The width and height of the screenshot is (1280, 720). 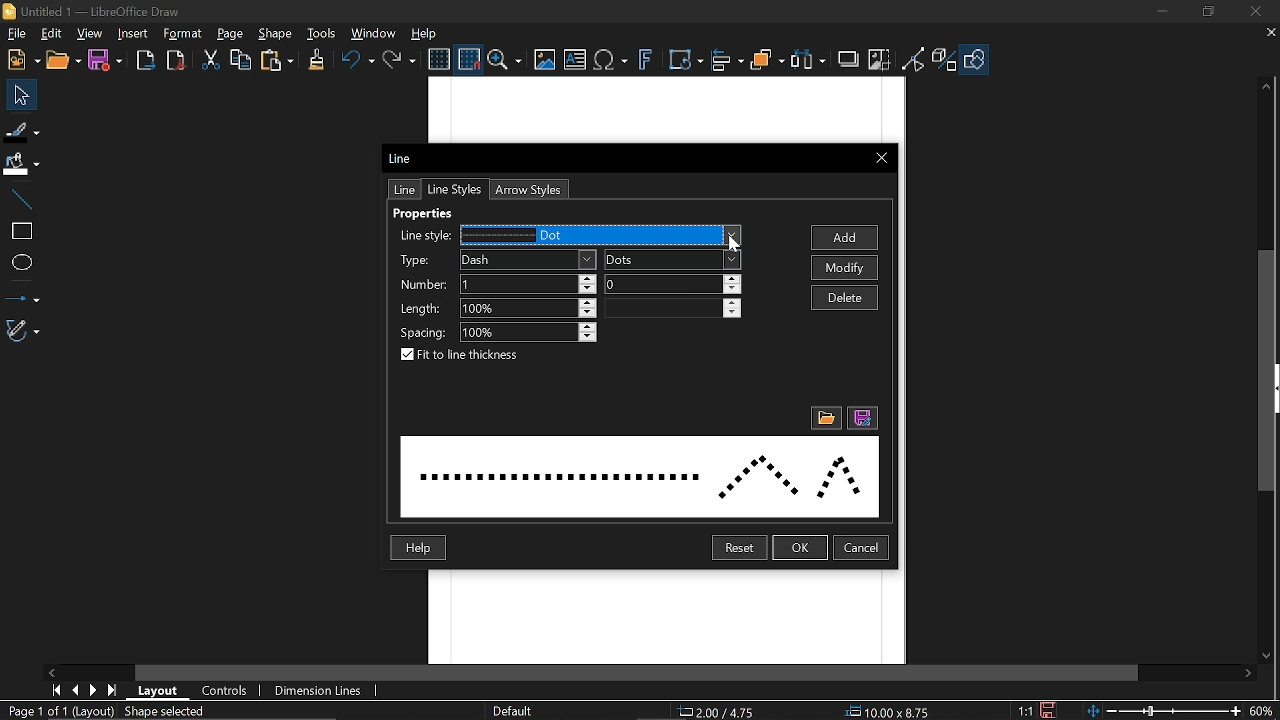 What do you see at coordinates (183, 34) in the screenshot?
I see `Format` at bounding box center [183, 34].